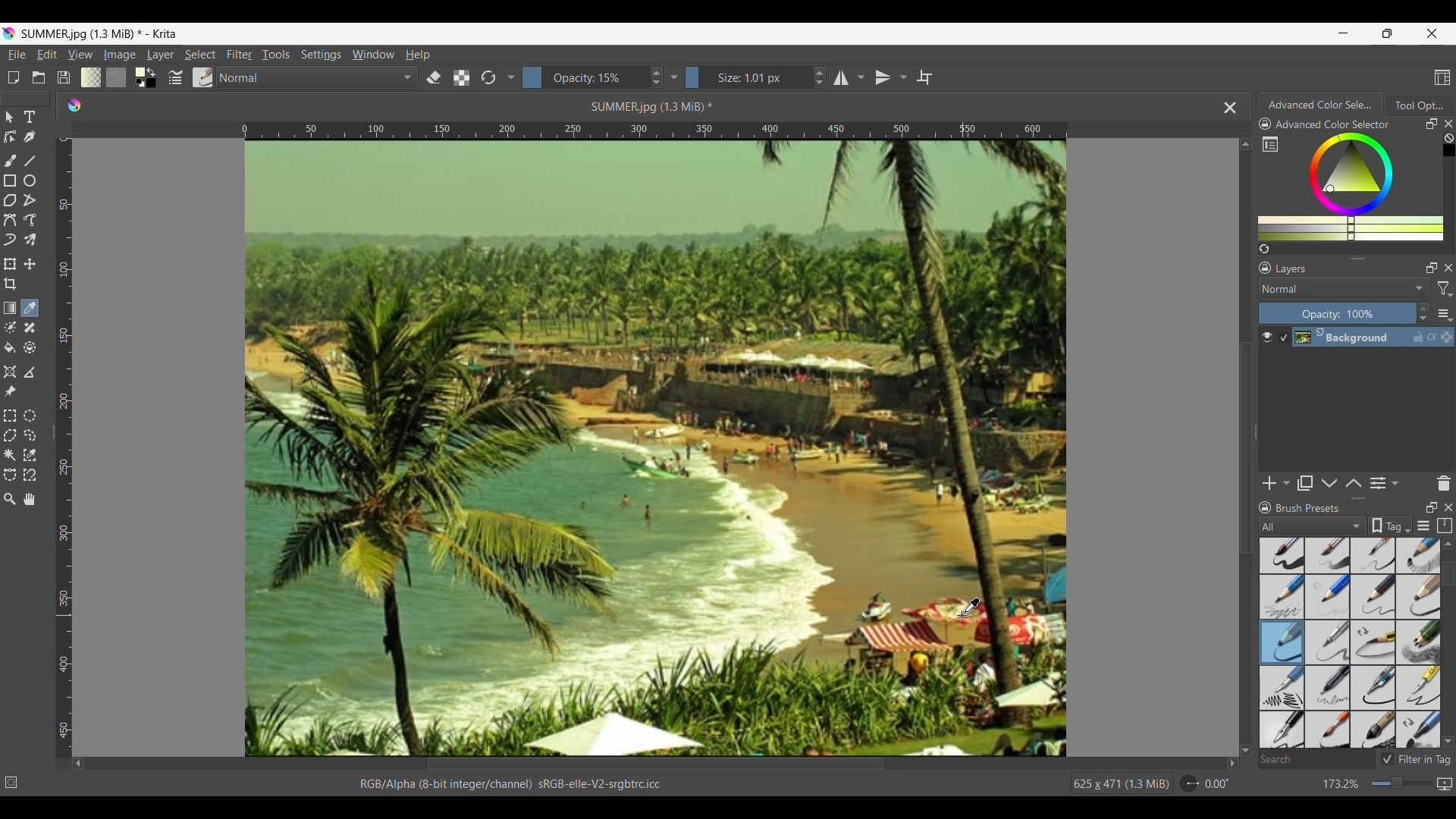  I want to click on Increase/Decrease Opacity, so click(655, 77).